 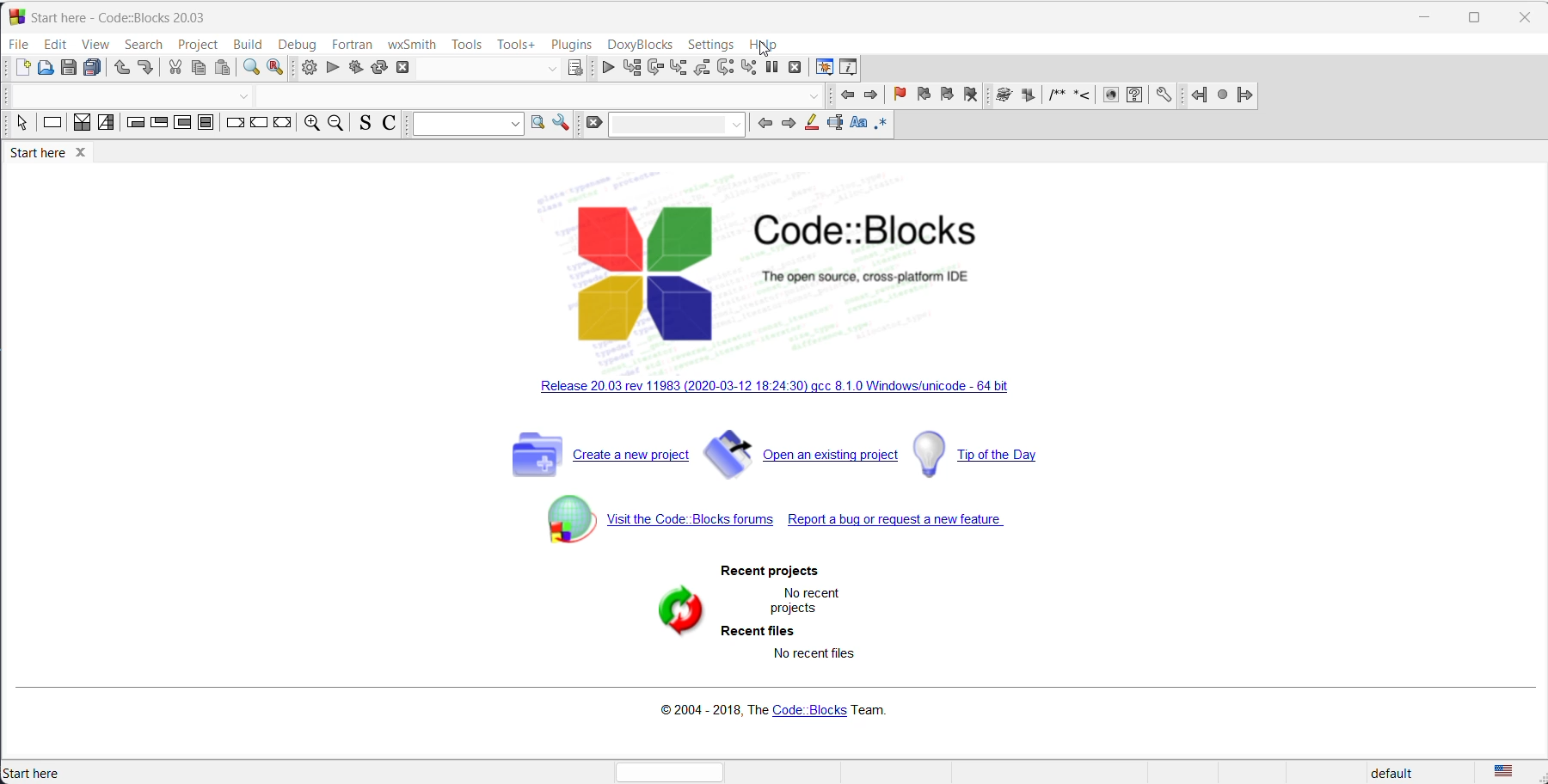 What do you see at coordinates (758, 632) in the screenshot?
I see `recent files` at bounding box center [758, 632].